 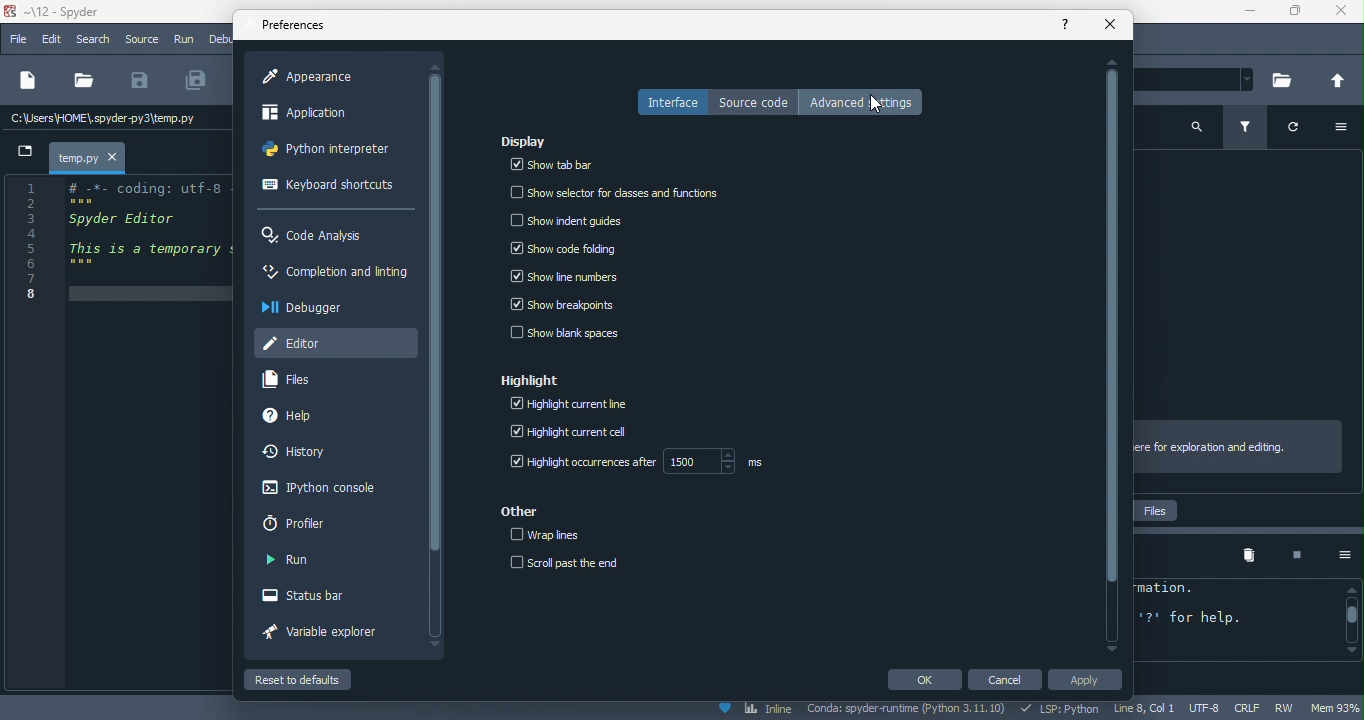 I want to click on debugger, so click(x=312, y=312).